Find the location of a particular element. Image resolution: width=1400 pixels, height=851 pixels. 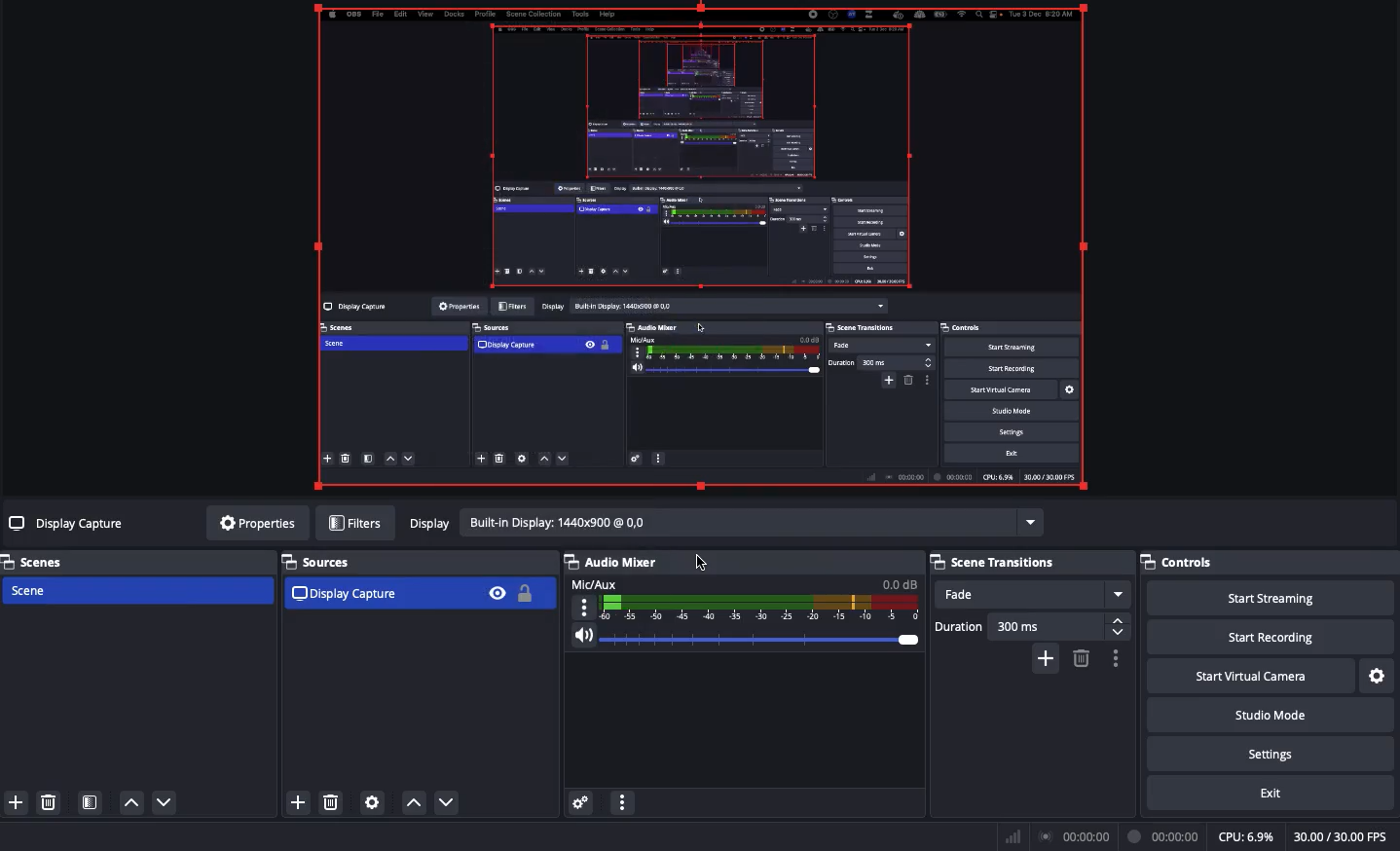

Scene transitions is located at coordinates (995, 564).